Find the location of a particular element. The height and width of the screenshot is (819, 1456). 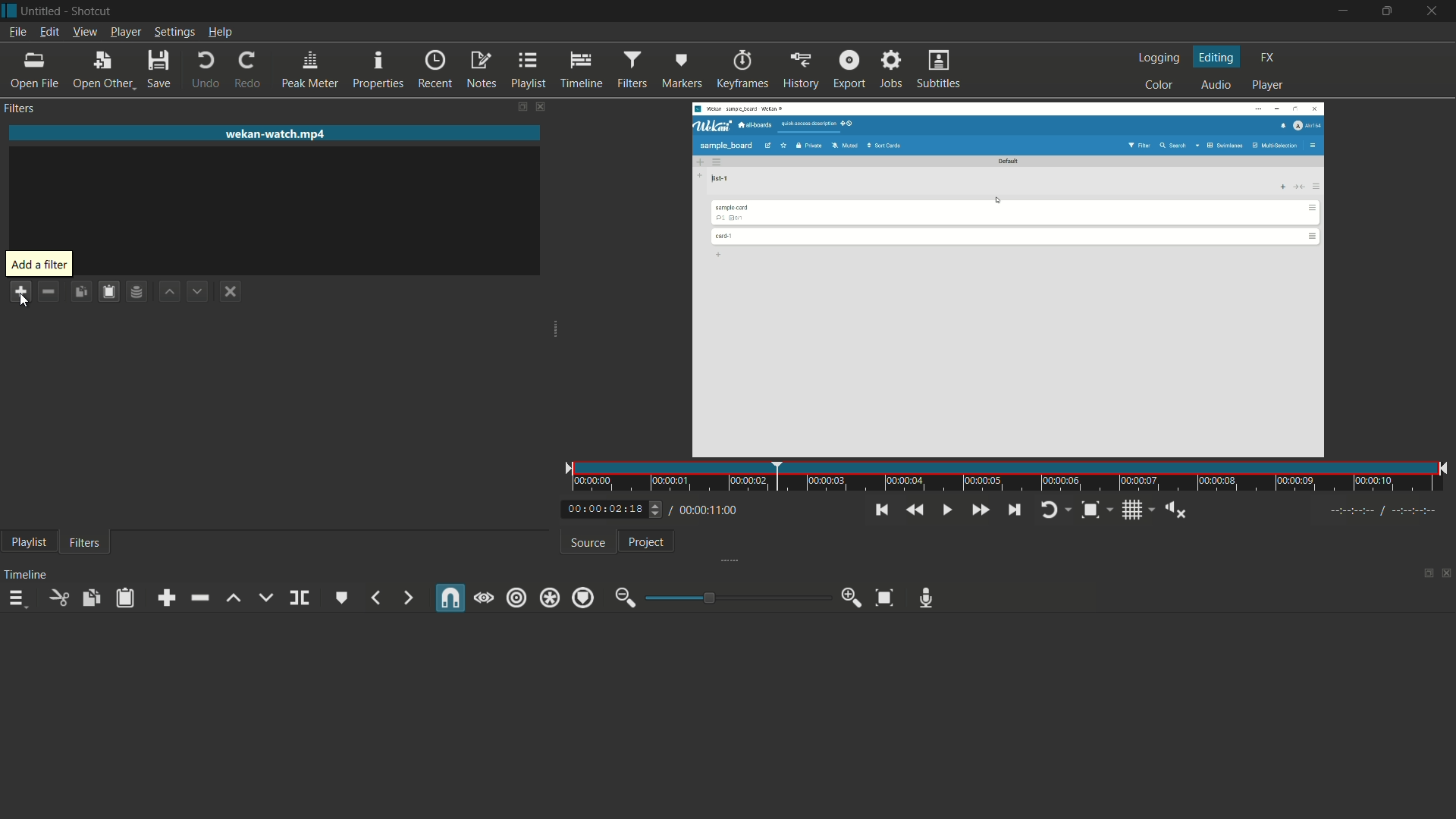

show volume control is located at coordinates (1177, 511).